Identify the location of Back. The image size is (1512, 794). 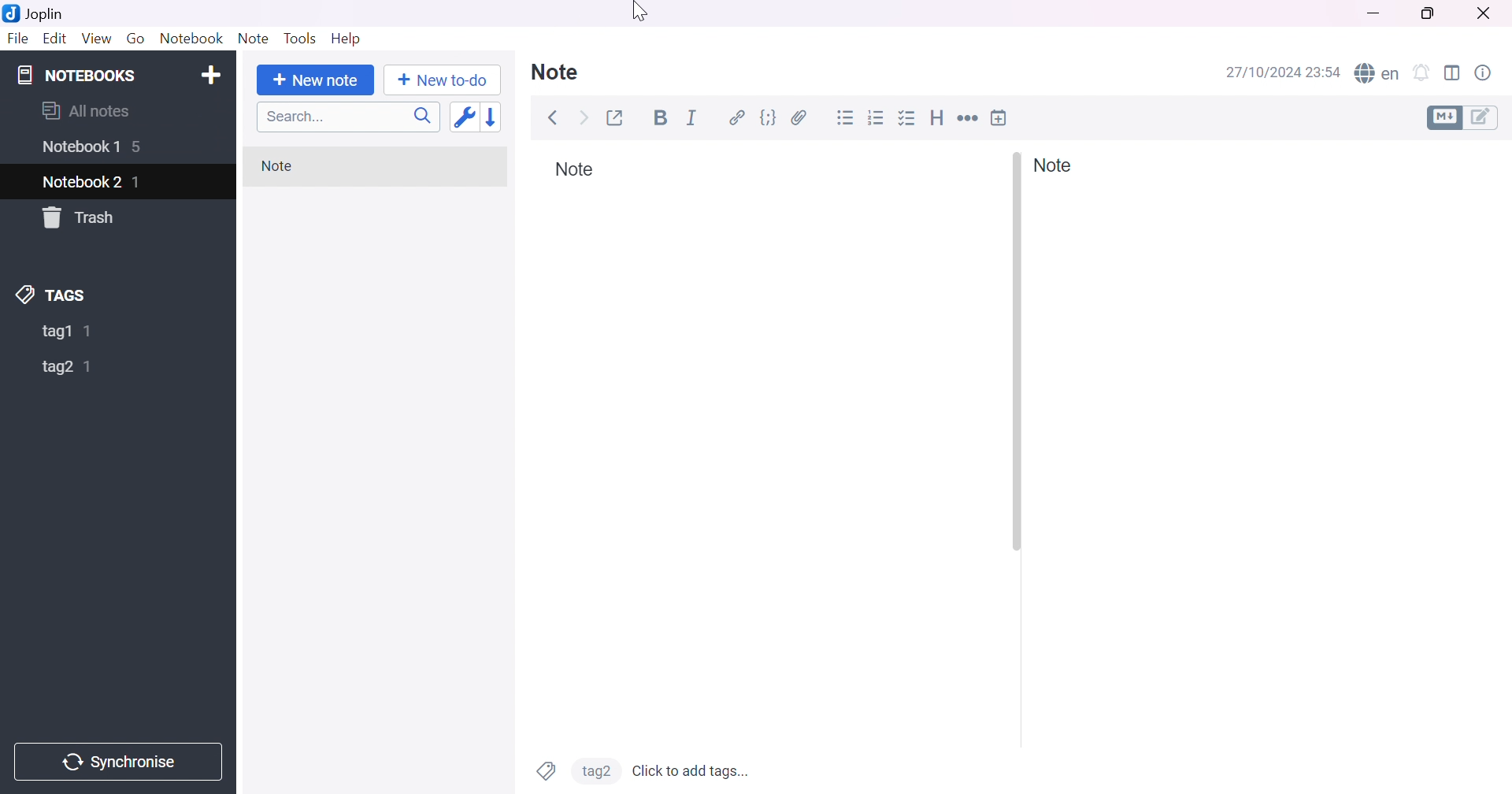
(552, 118).